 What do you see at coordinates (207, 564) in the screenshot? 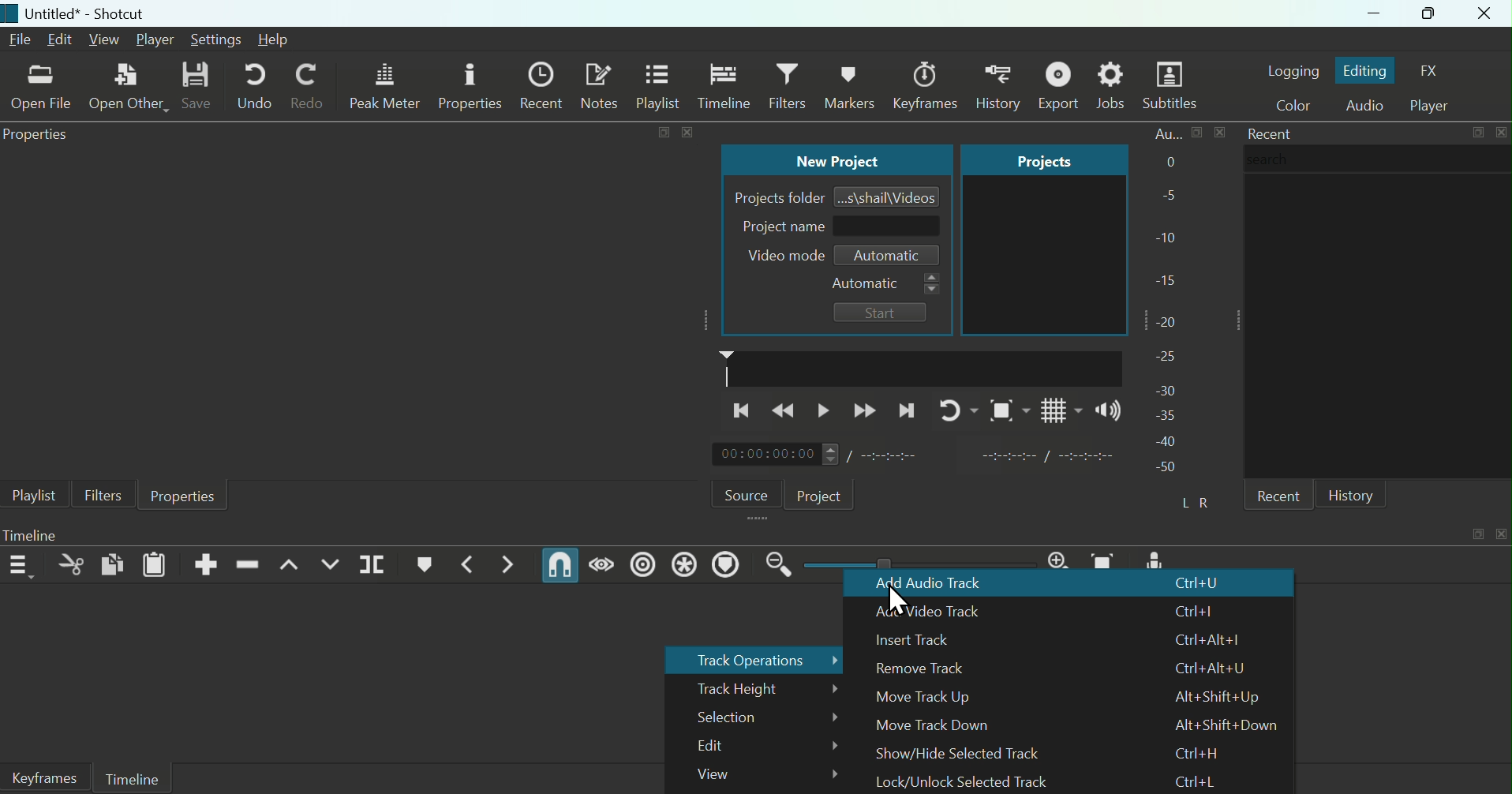
I see `Append` at bounding box center [207, 564].